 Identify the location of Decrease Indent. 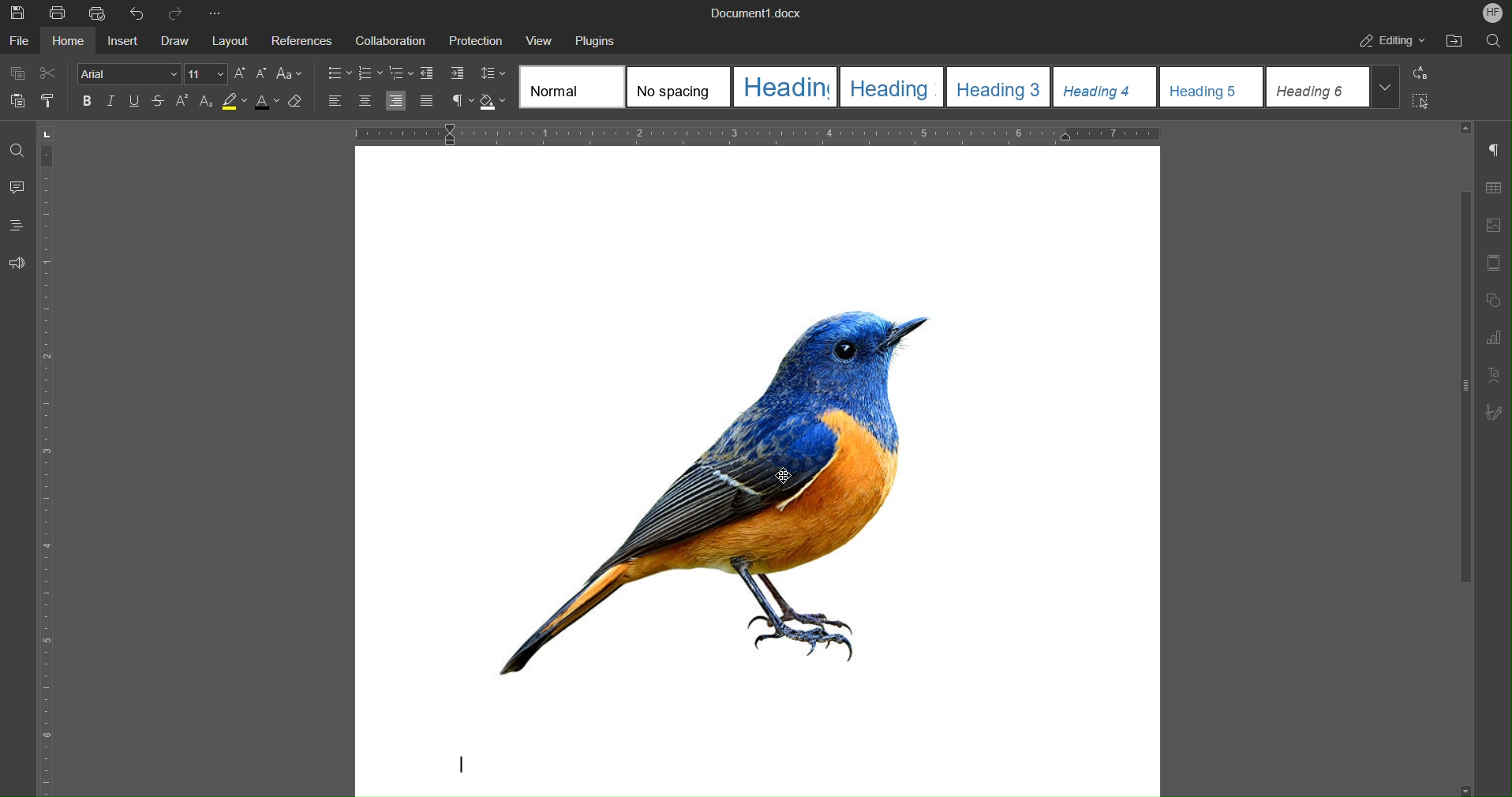
(427, 74).